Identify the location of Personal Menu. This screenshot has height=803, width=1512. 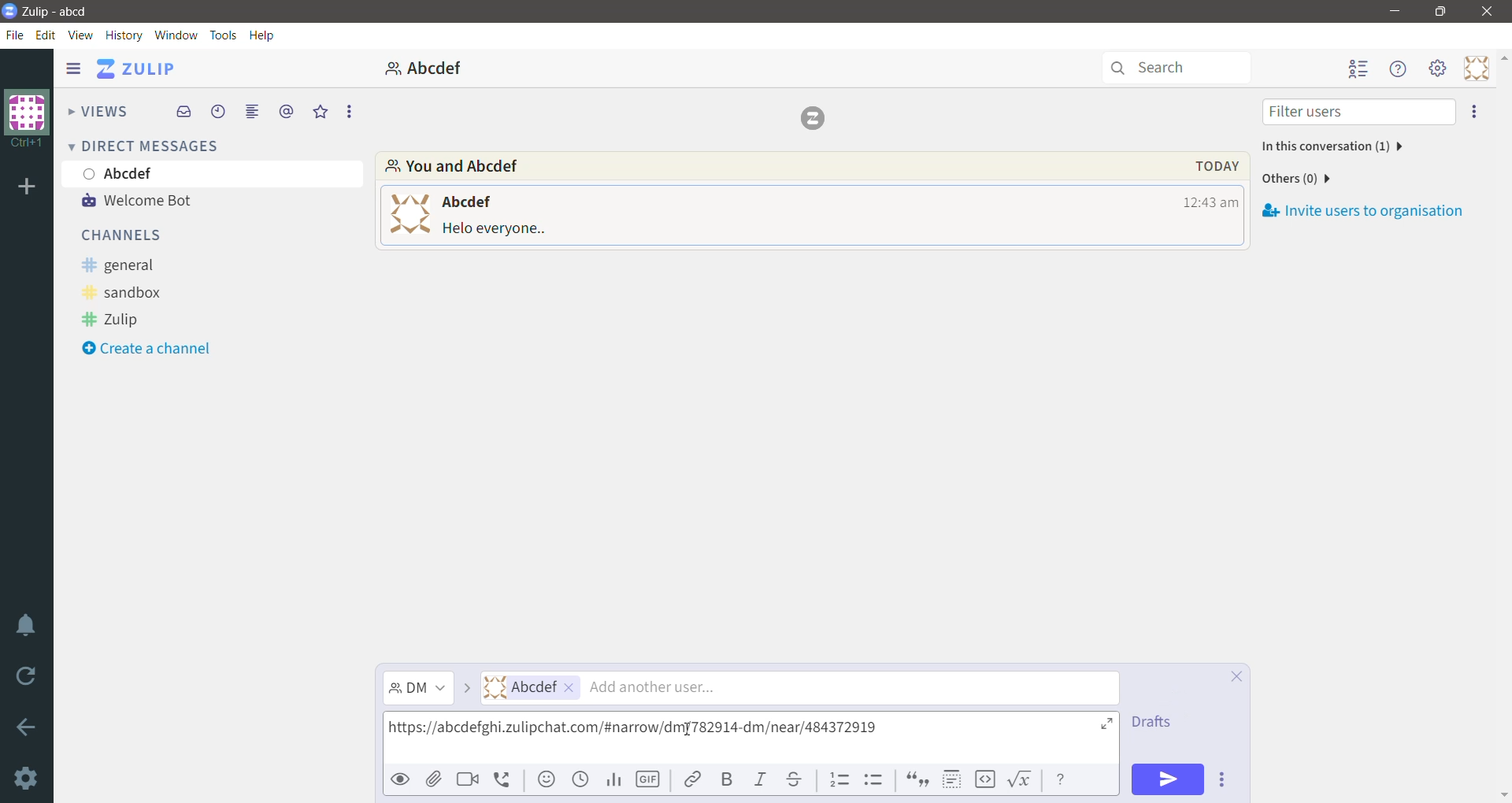
(1473, 68).